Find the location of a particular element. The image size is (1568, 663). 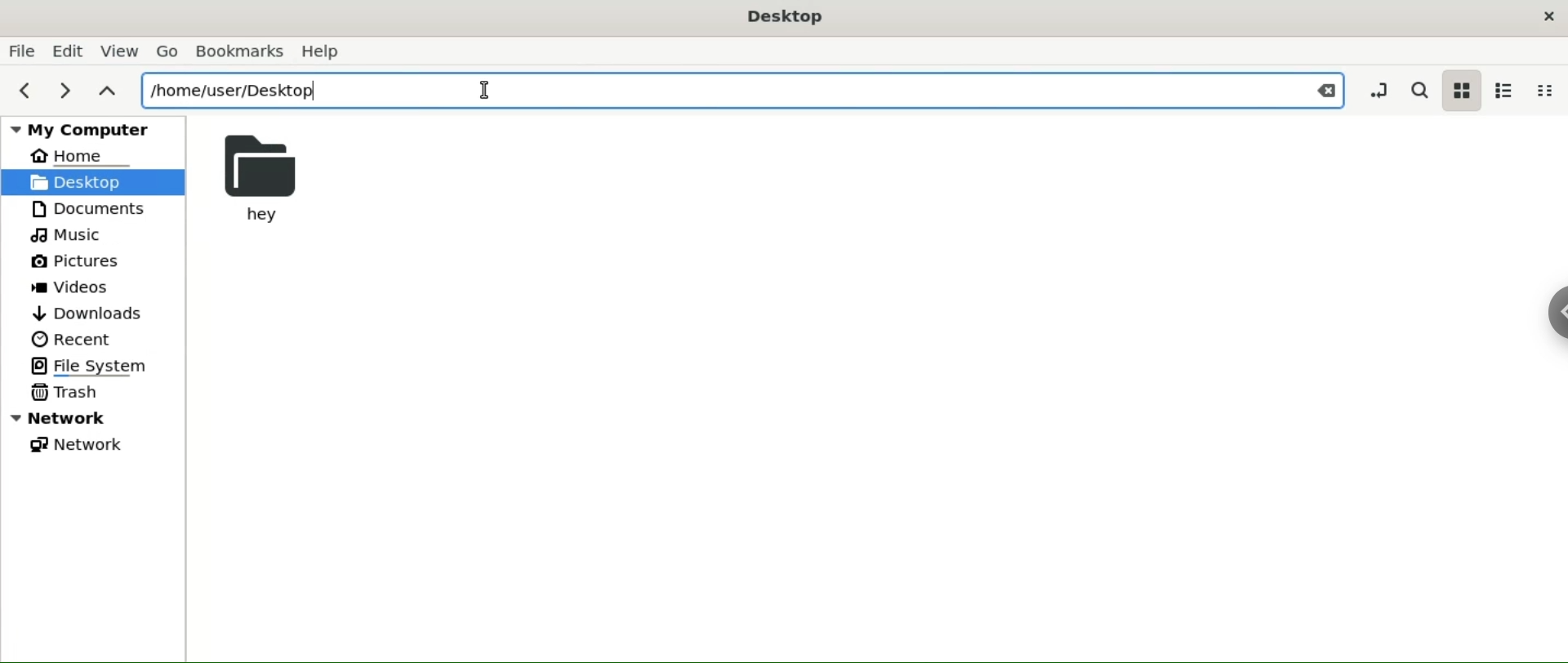

Desktop is located at coordinates (786, 19).